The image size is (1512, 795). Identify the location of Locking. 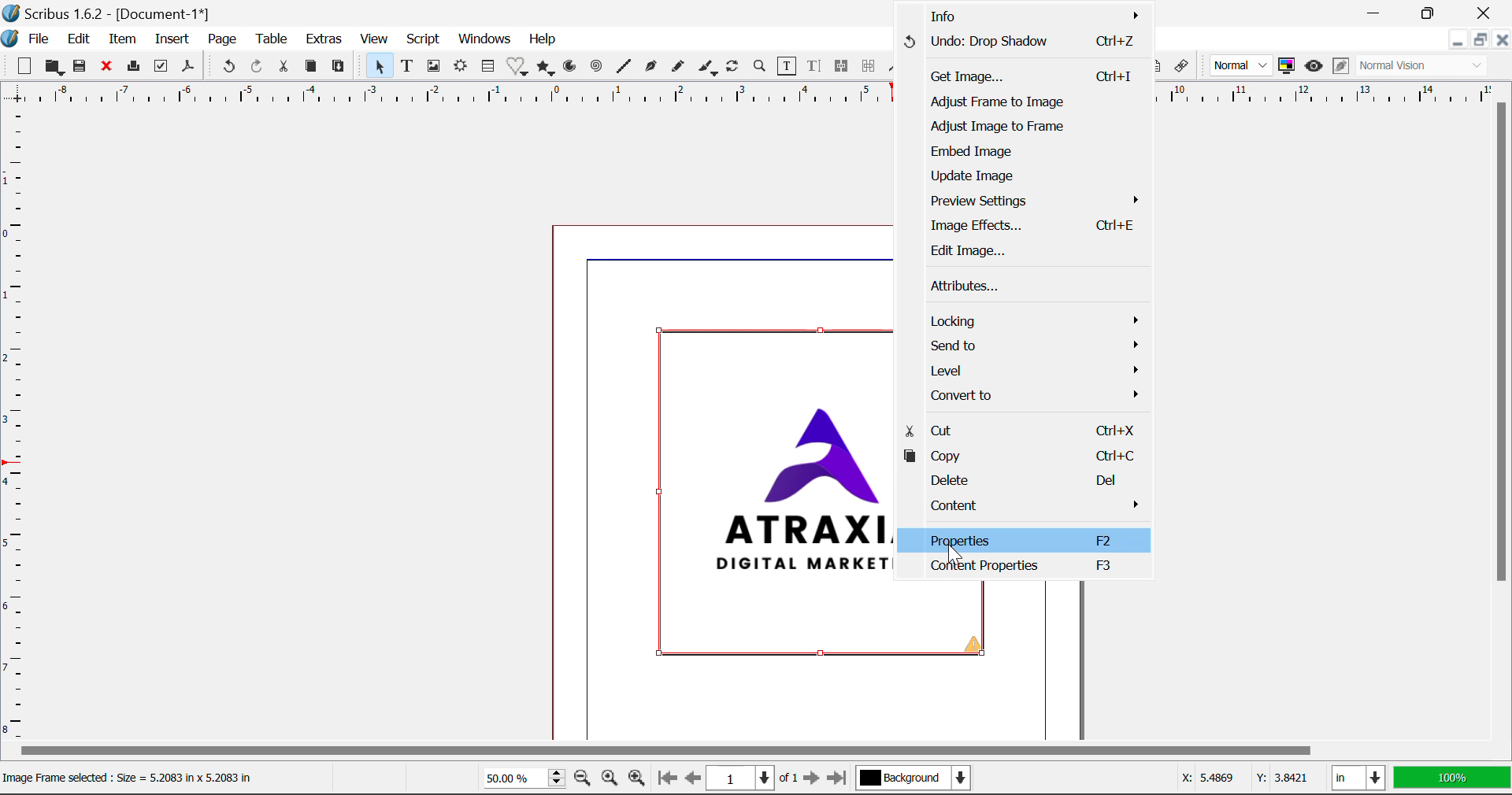
(1036, 322).